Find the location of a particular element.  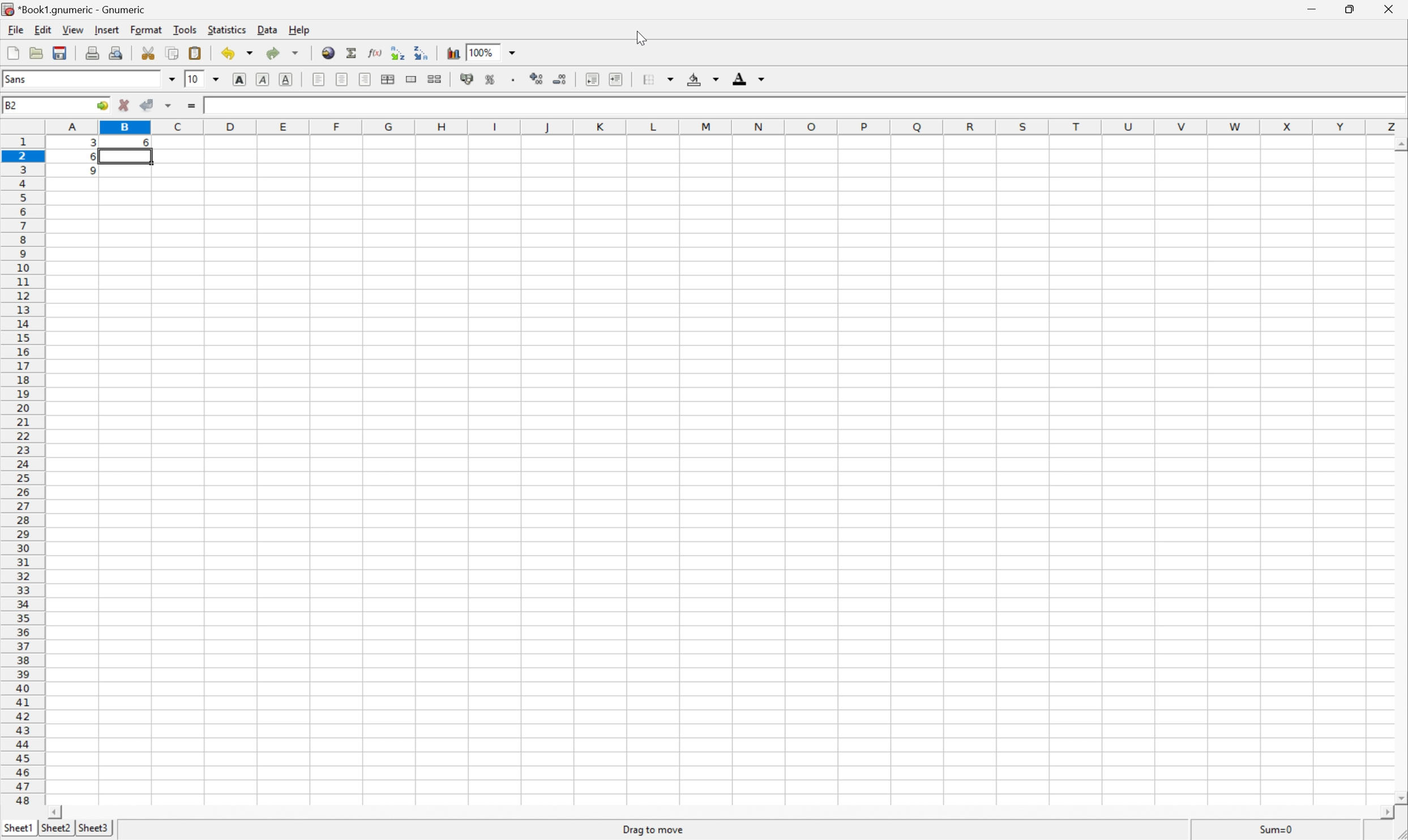

Minimize is located at coordinates (1309, 8).